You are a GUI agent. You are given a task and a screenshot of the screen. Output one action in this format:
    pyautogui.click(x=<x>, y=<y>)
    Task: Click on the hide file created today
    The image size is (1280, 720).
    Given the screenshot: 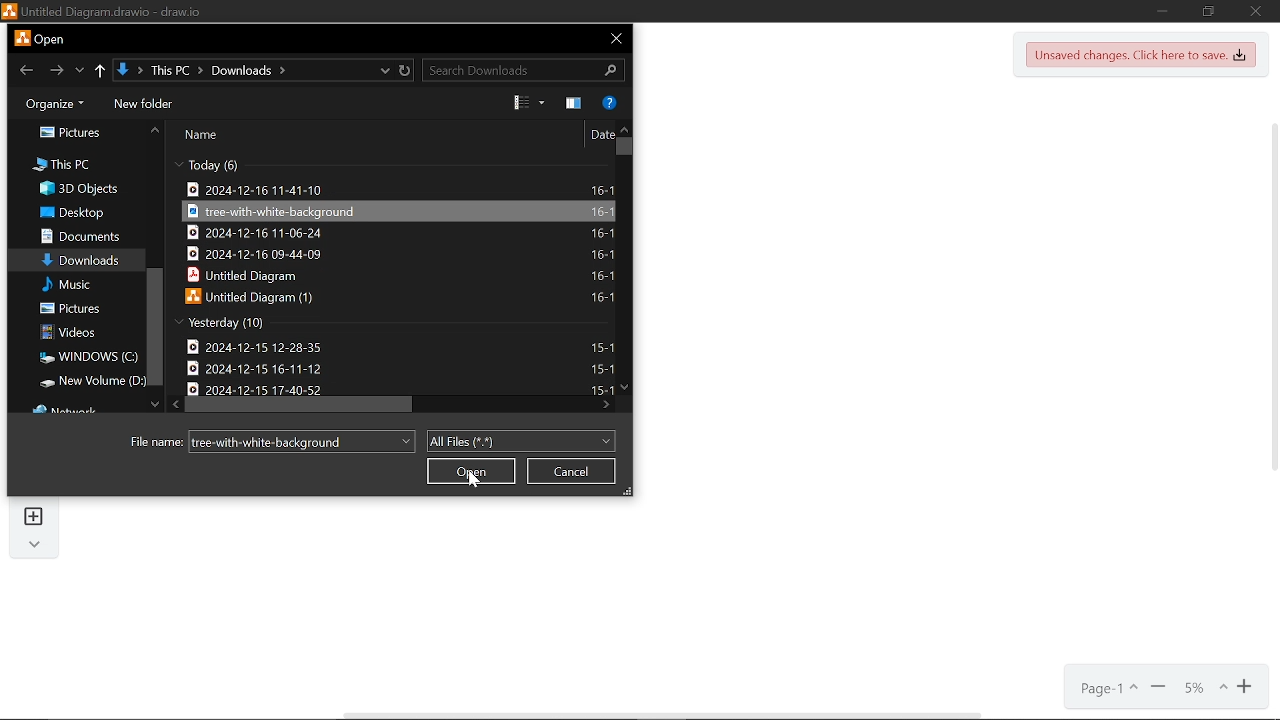 What is the action you would take?
    pyautogui.click(x=176, y=166)
    